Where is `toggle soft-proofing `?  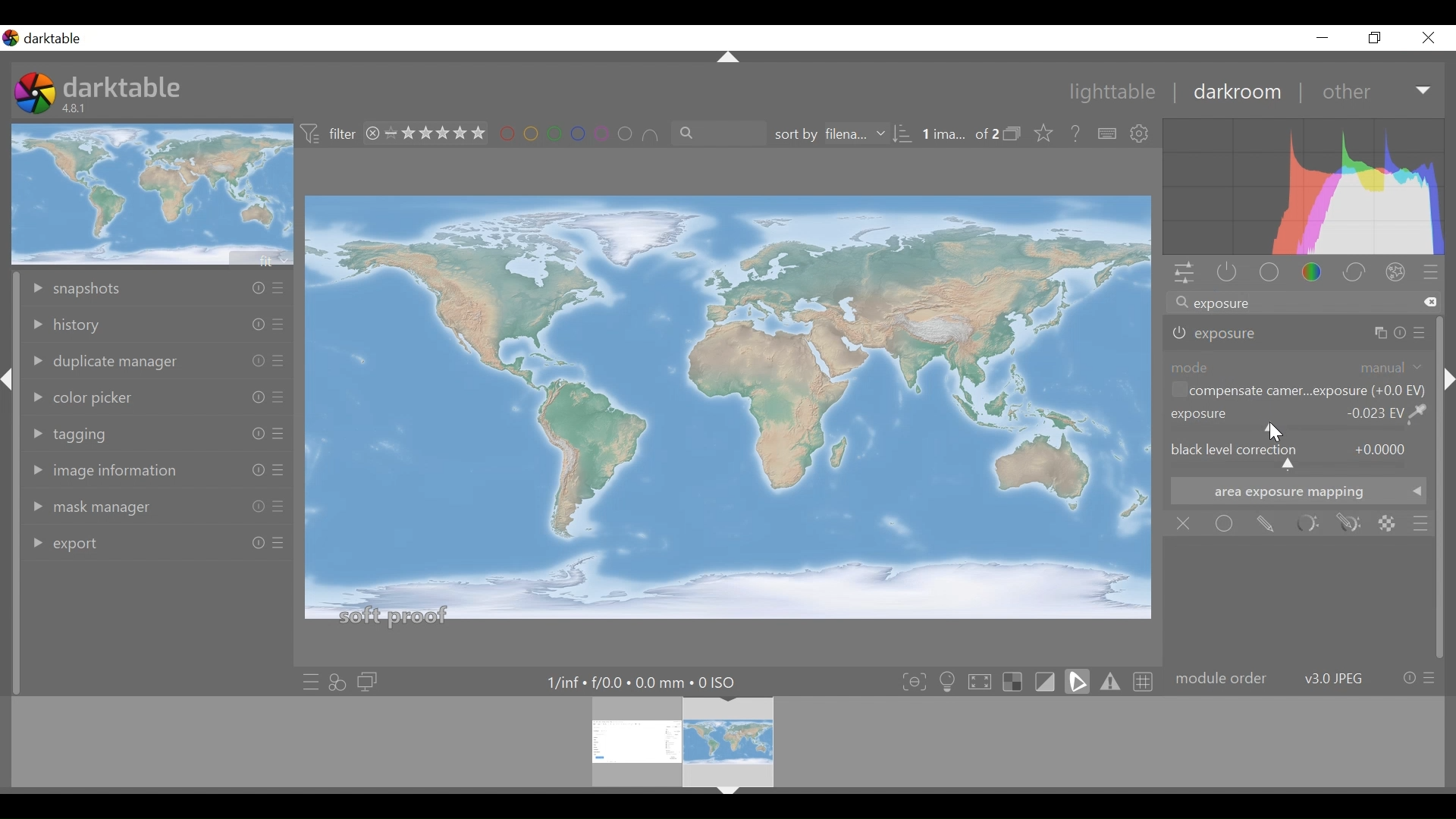
toggle soft-proofing  is located at coordinates (1078, 681).